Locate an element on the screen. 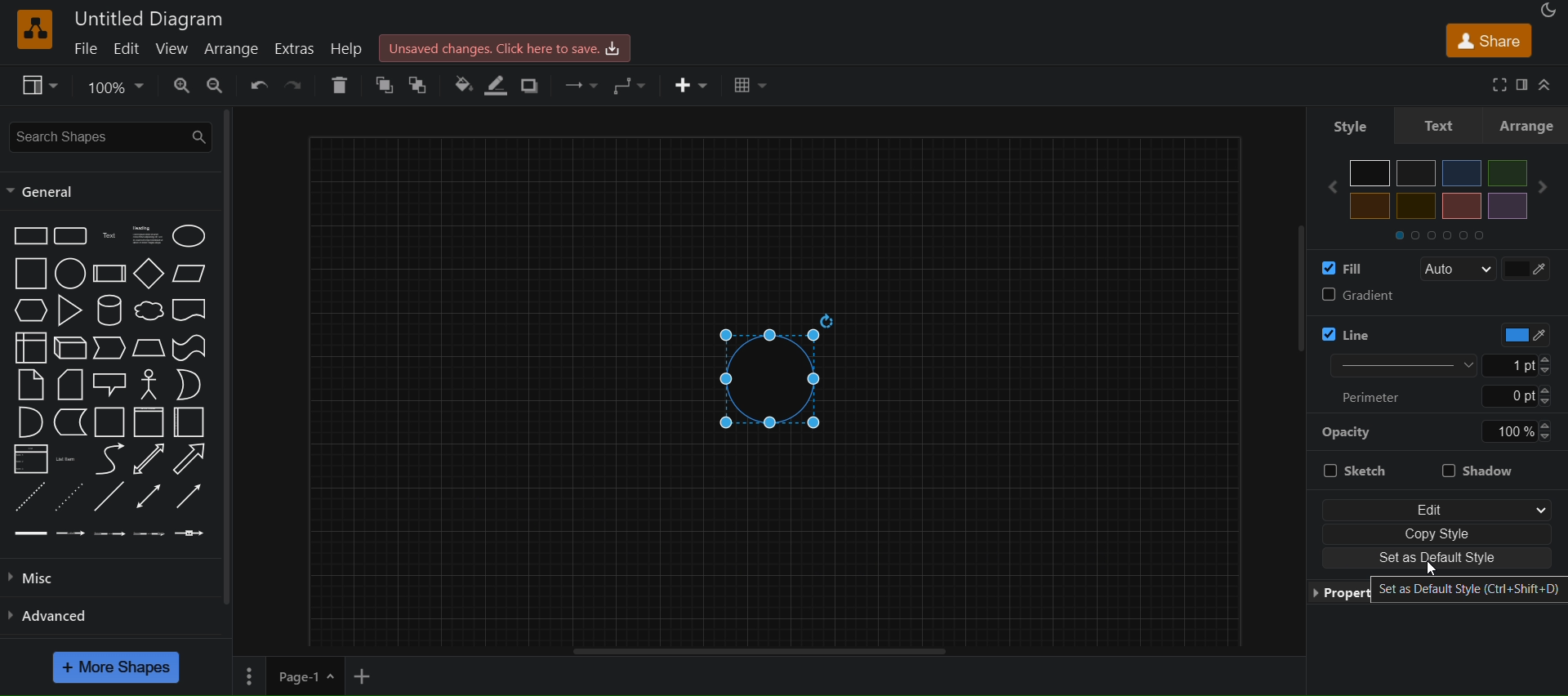 This screenshot has height=696, width=1568. collapase/expand is located at coordinates (1548, 84).